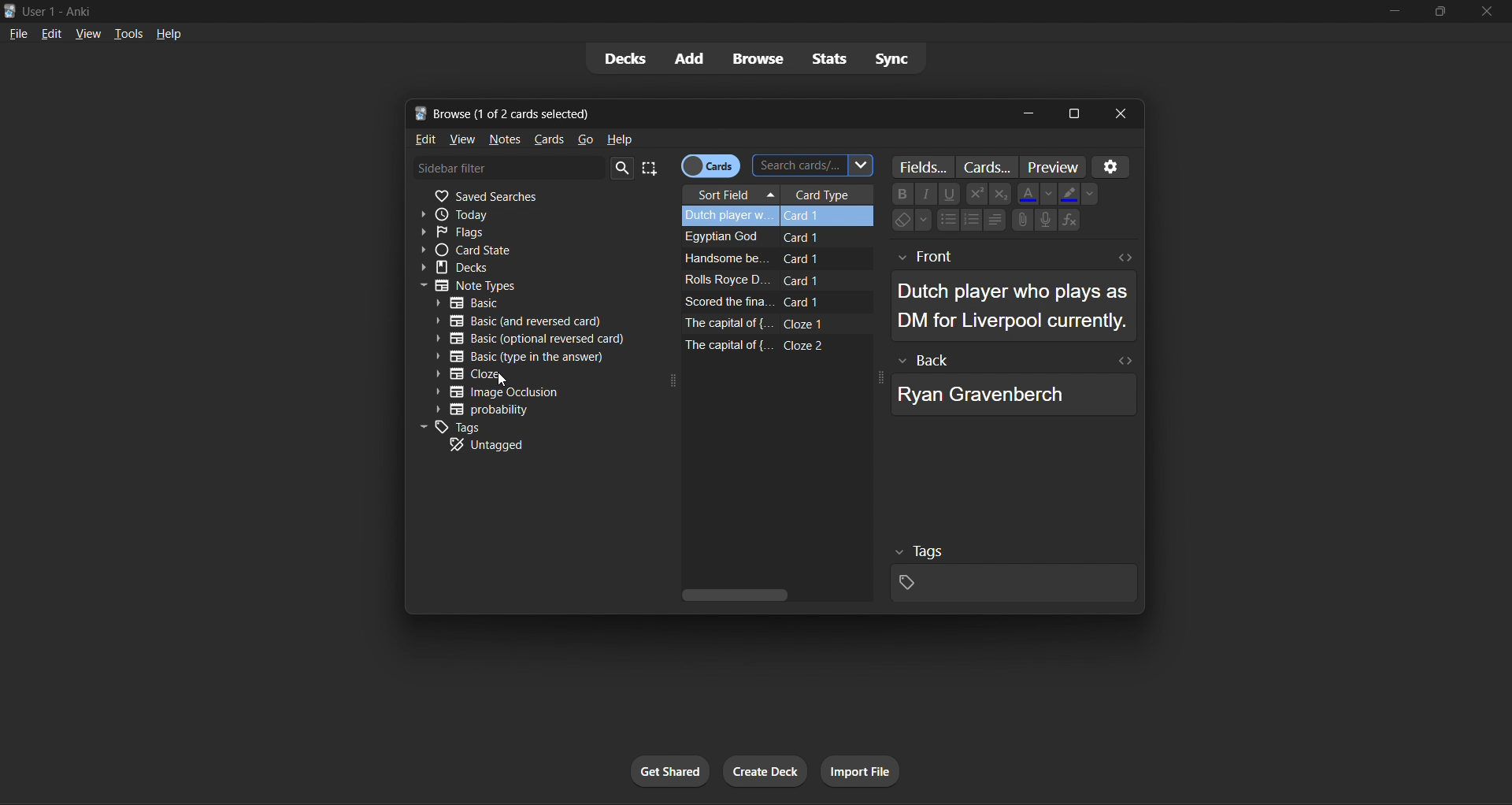 This screenshot has height=805, width=1512. What do you see at coordinates (1017, 576) in the screenshot?
I see `selected card tags` at bounding box center [1017, 576].